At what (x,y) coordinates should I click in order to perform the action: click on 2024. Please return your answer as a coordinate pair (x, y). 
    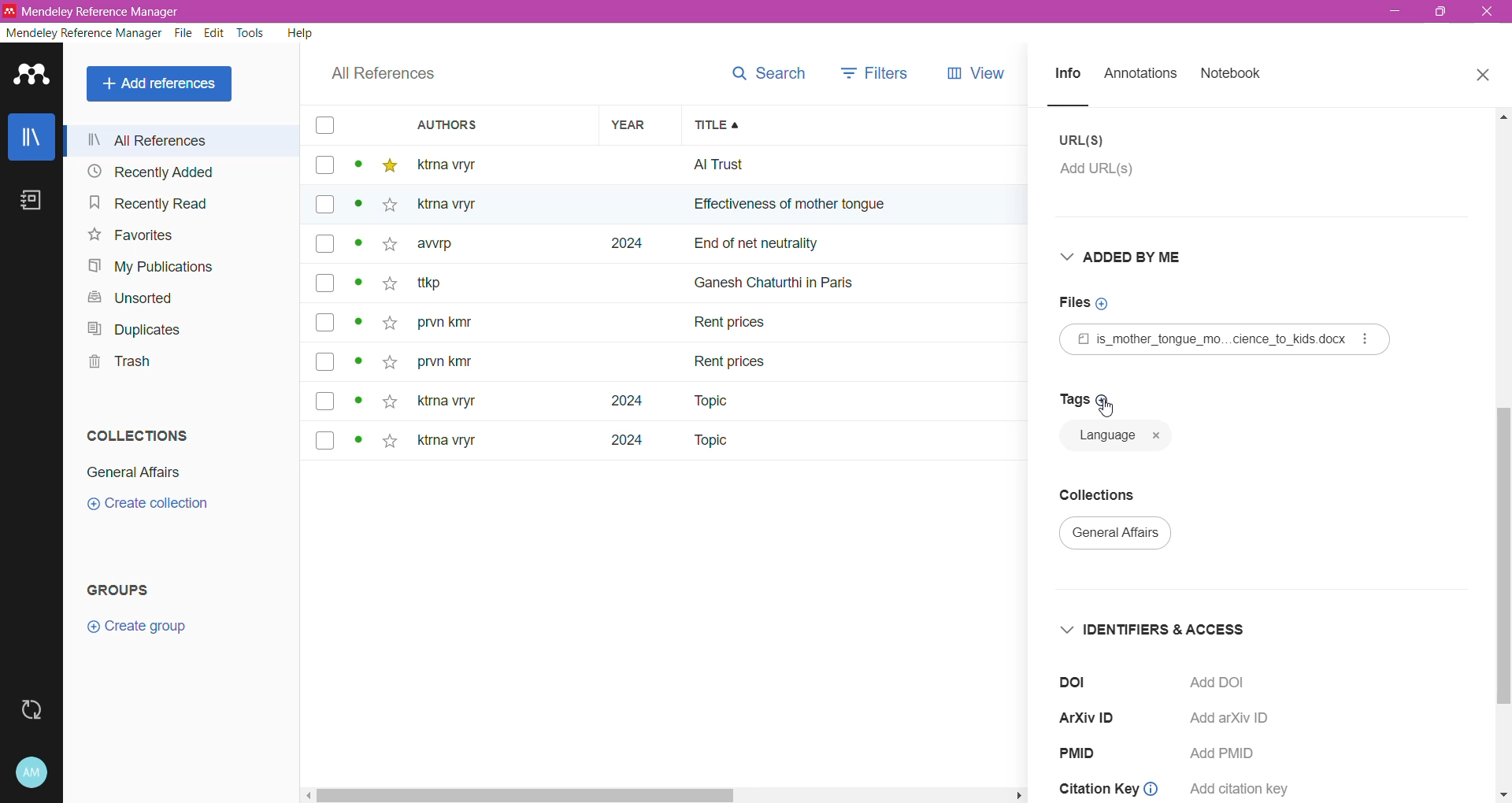
    Looking at the image, I should click on (623, 244).